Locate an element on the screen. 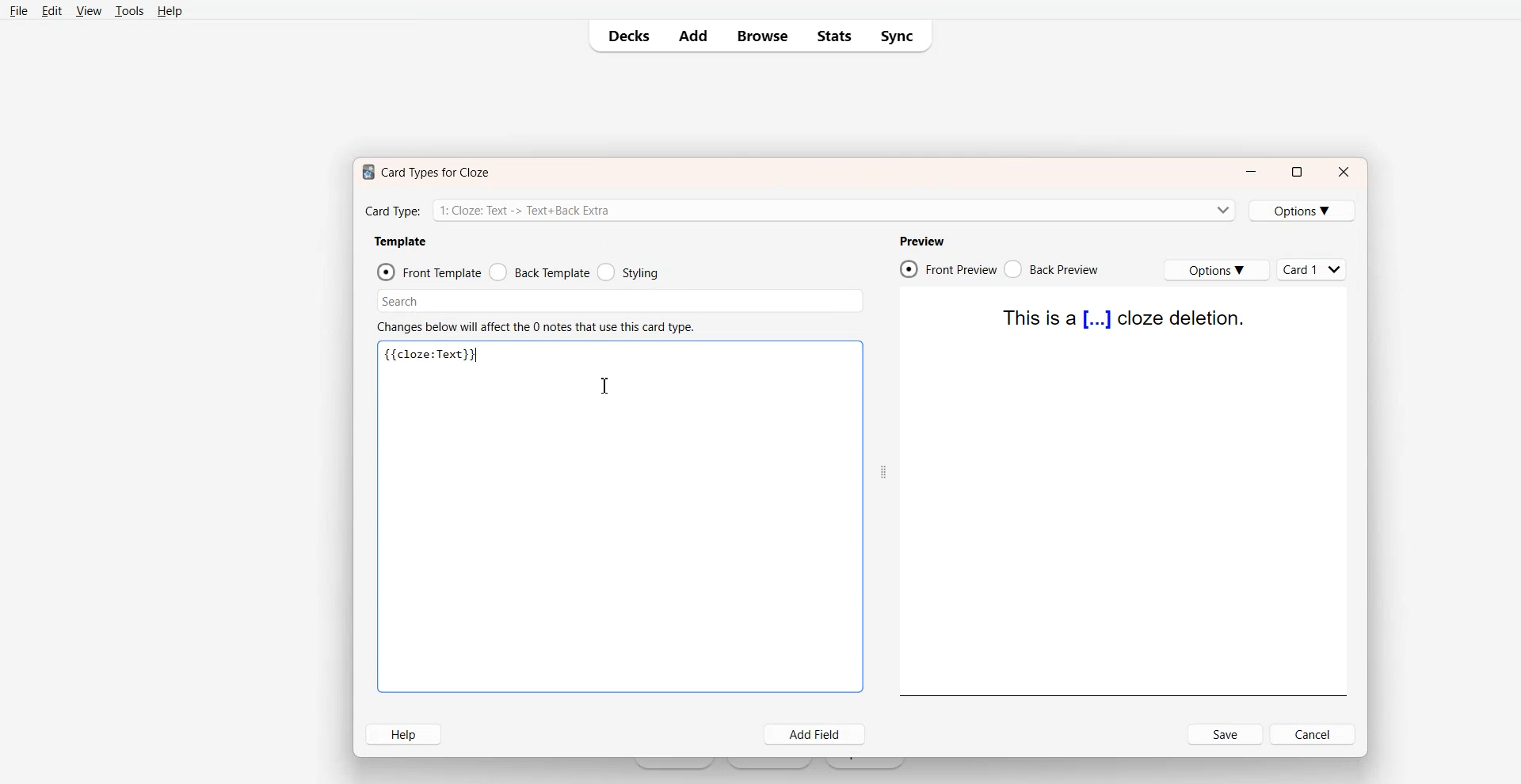  Options is located at coordinates (1303, 211).